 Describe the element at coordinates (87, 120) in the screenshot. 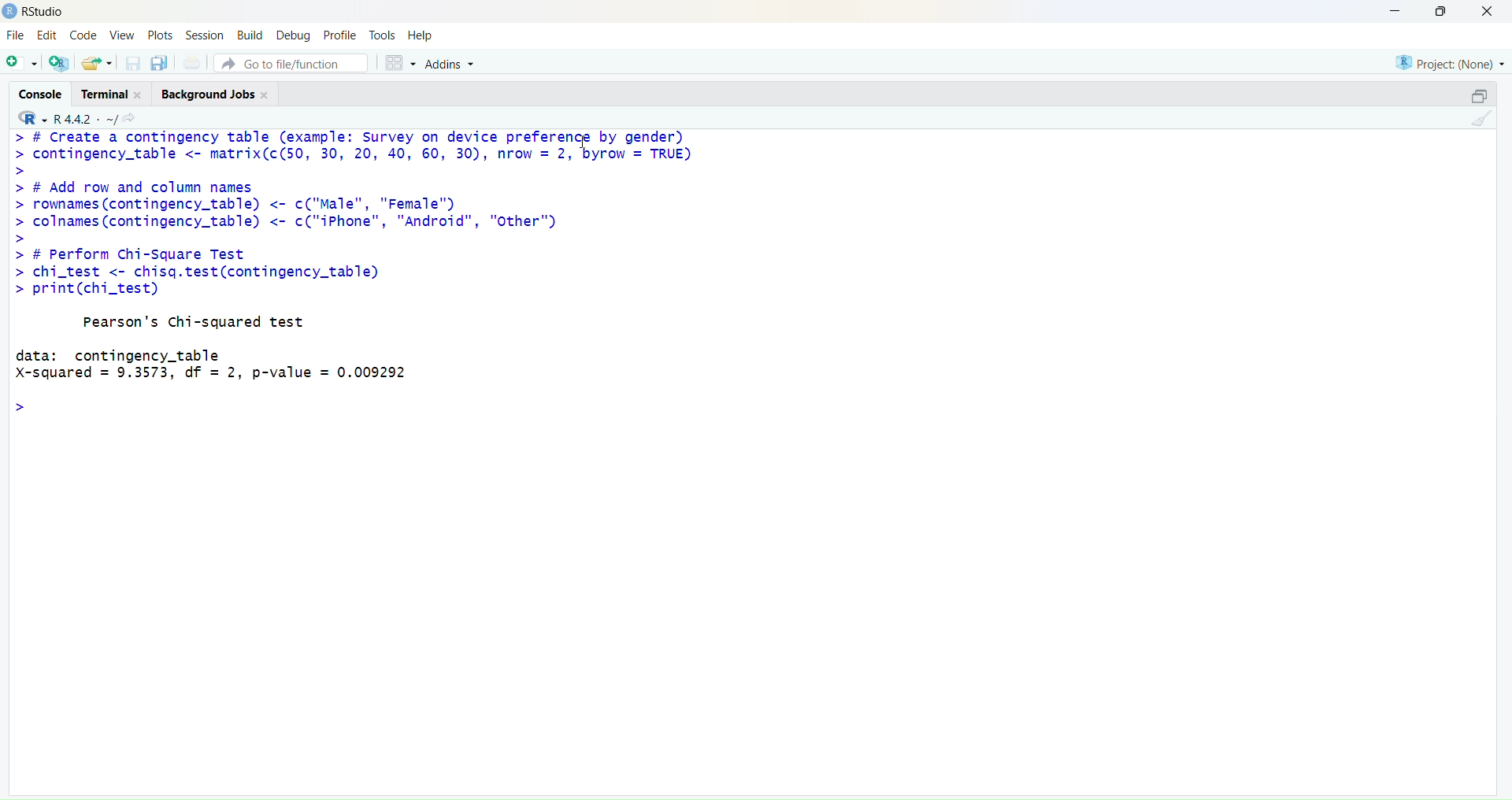

I see `R 4.4.2 ~/` at that location.